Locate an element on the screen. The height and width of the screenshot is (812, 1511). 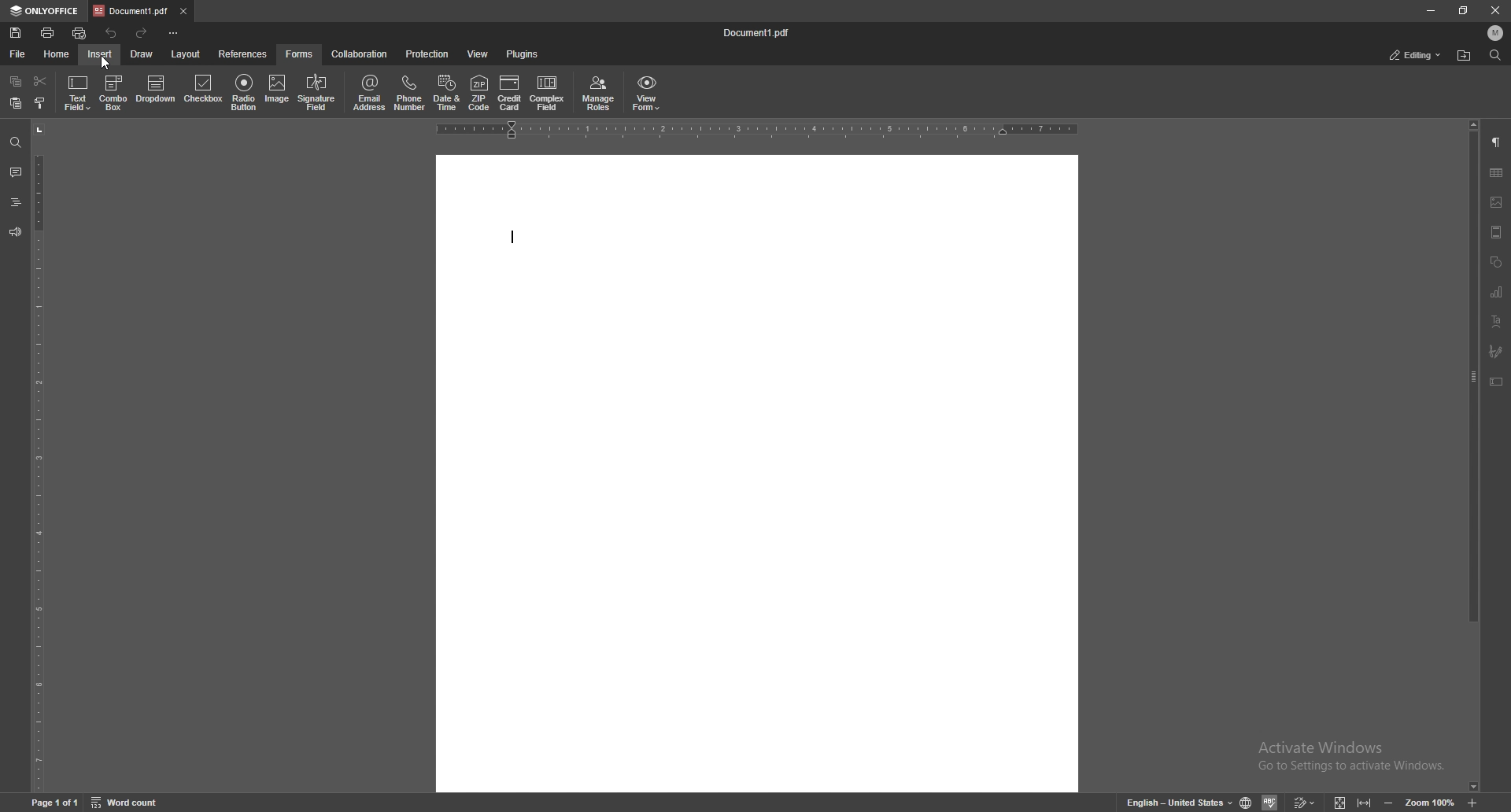
references is located at coordinates (243, 54).